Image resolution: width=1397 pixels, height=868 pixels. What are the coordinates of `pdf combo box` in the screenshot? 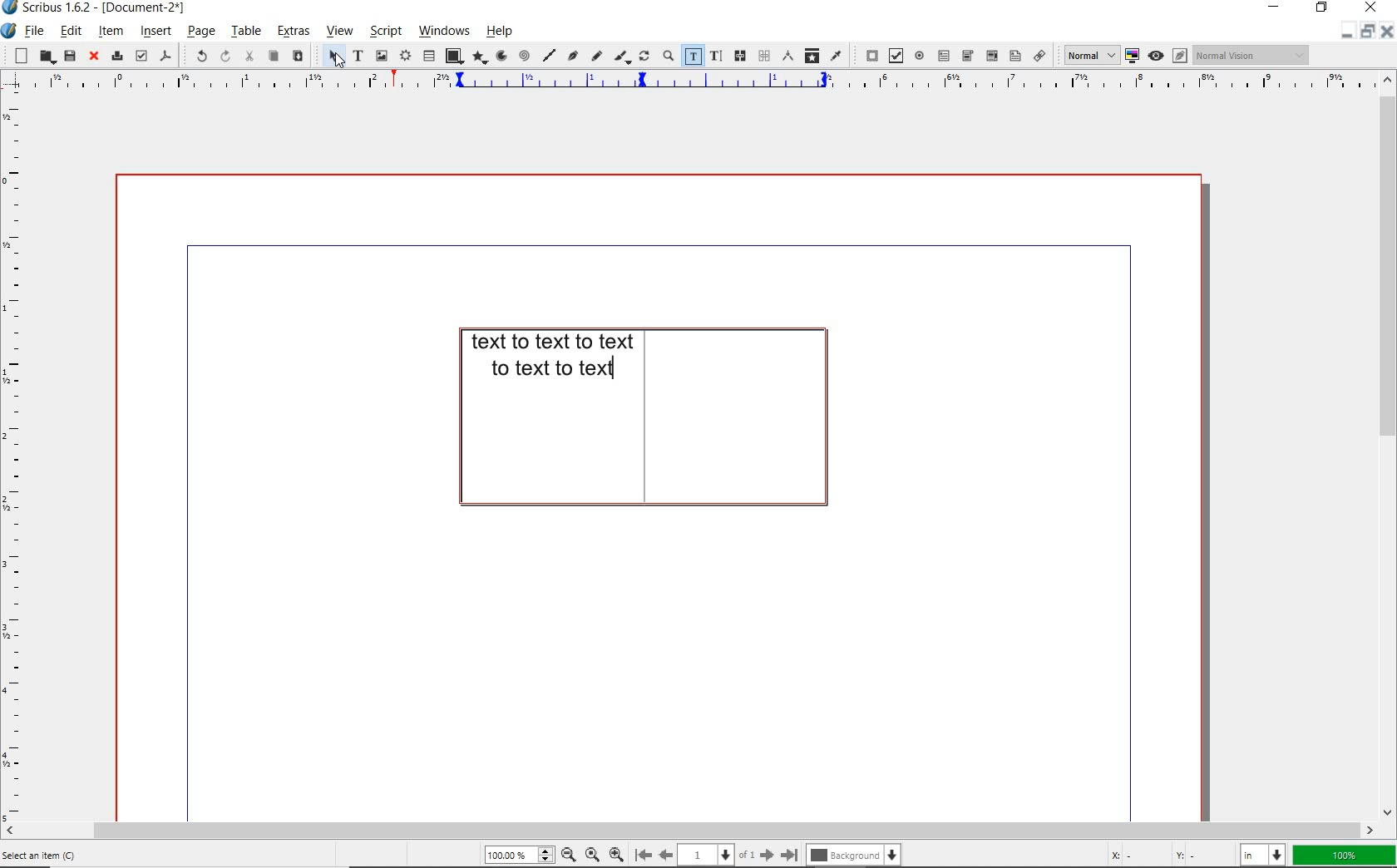 It's located at (968, 56).